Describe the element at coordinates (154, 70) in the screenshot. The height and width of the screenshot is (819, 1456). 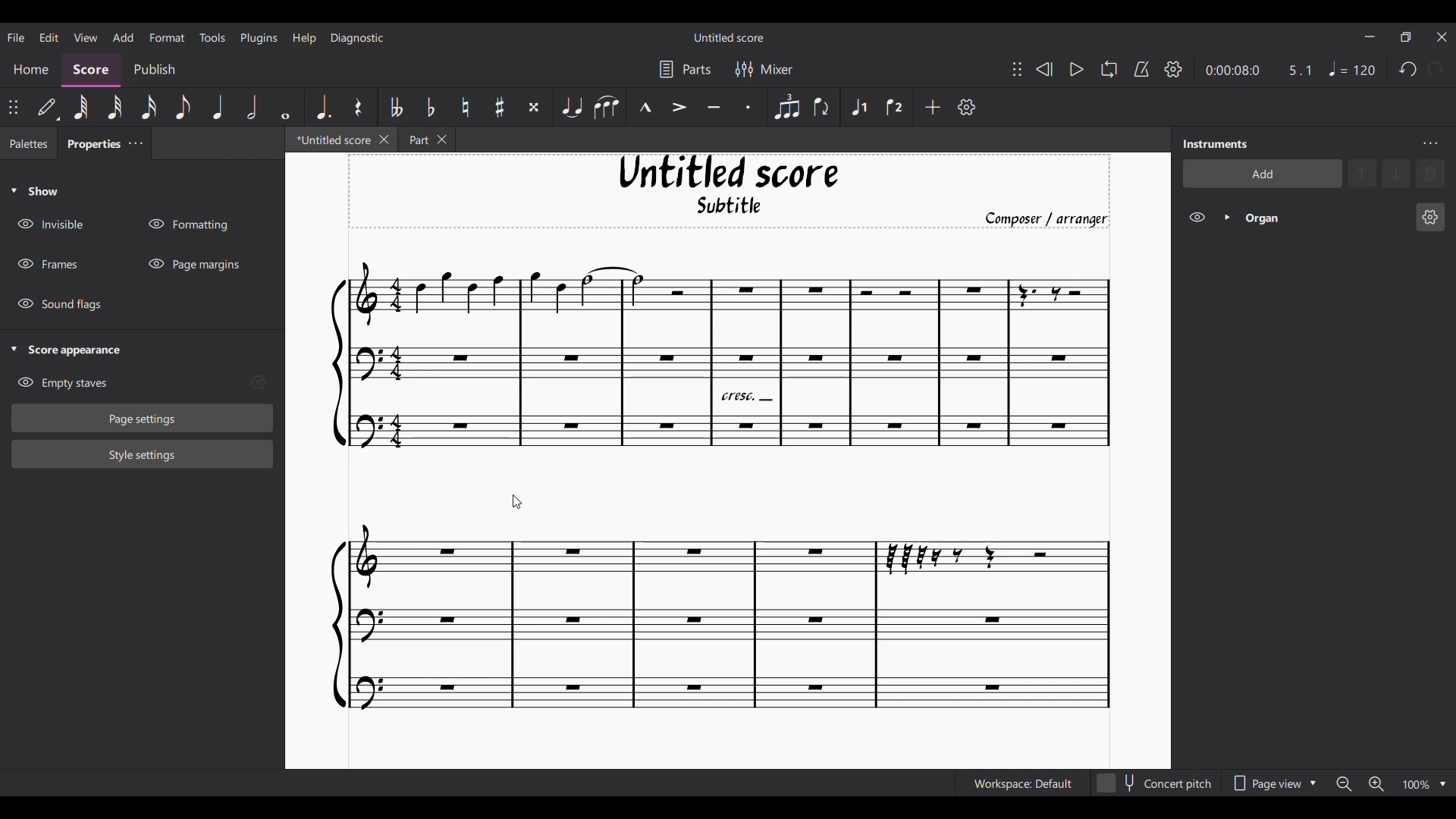
I see `Publish section` at that location.